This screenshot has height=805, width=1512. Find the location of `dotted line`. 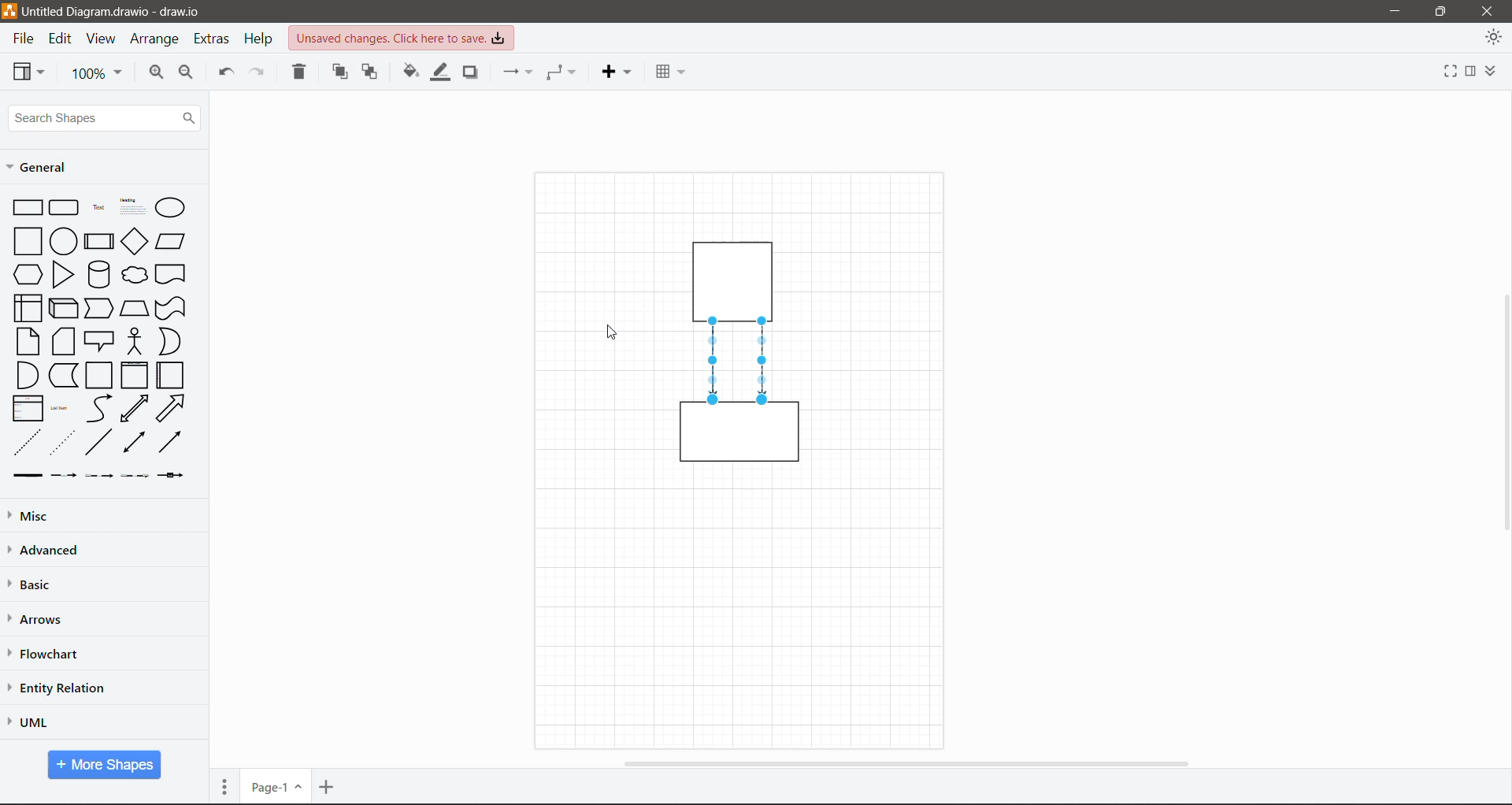

dotted line is located at coordinates (62, 442).